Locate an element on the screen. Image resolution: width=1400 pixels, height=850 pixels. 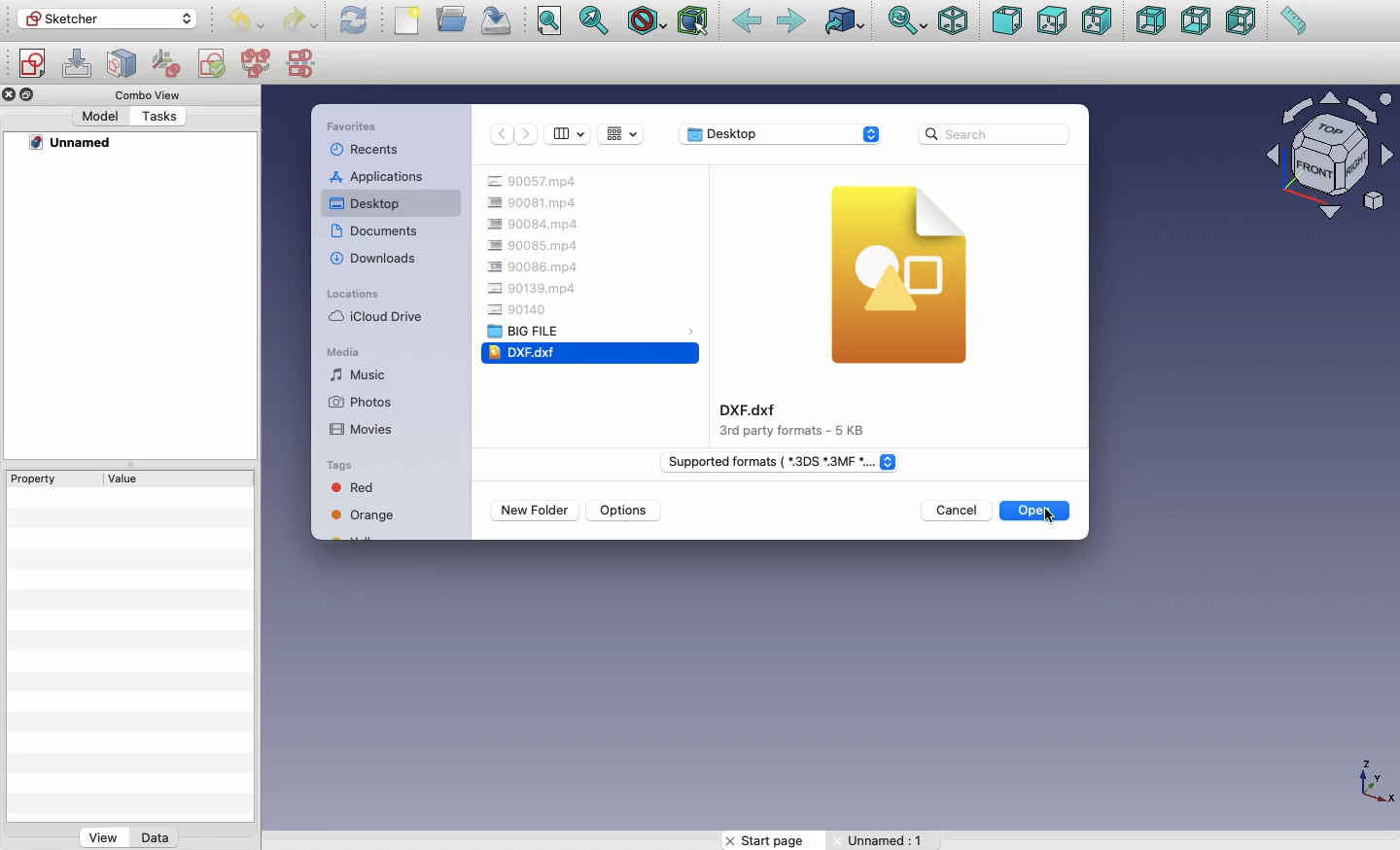
Desktop is located at coordinates (780, 134).